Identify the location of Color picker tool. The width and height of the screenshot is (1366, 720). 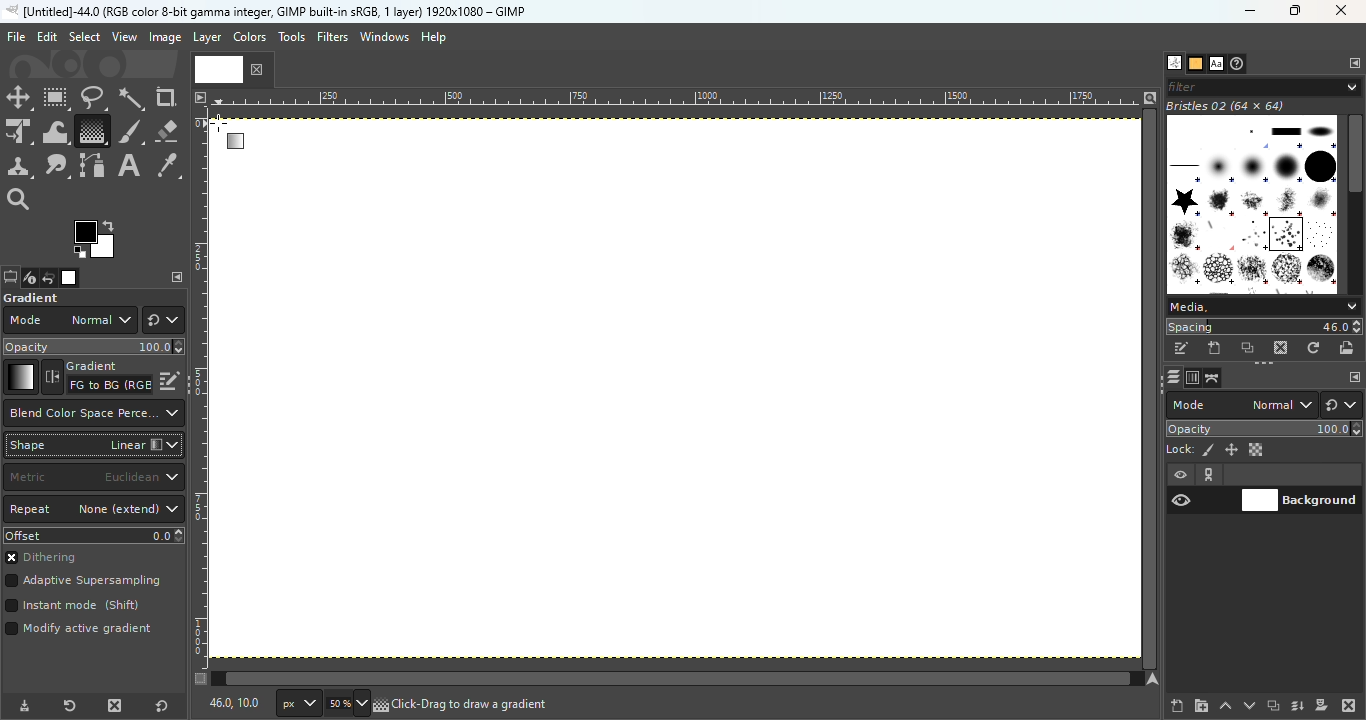
(168, 167).